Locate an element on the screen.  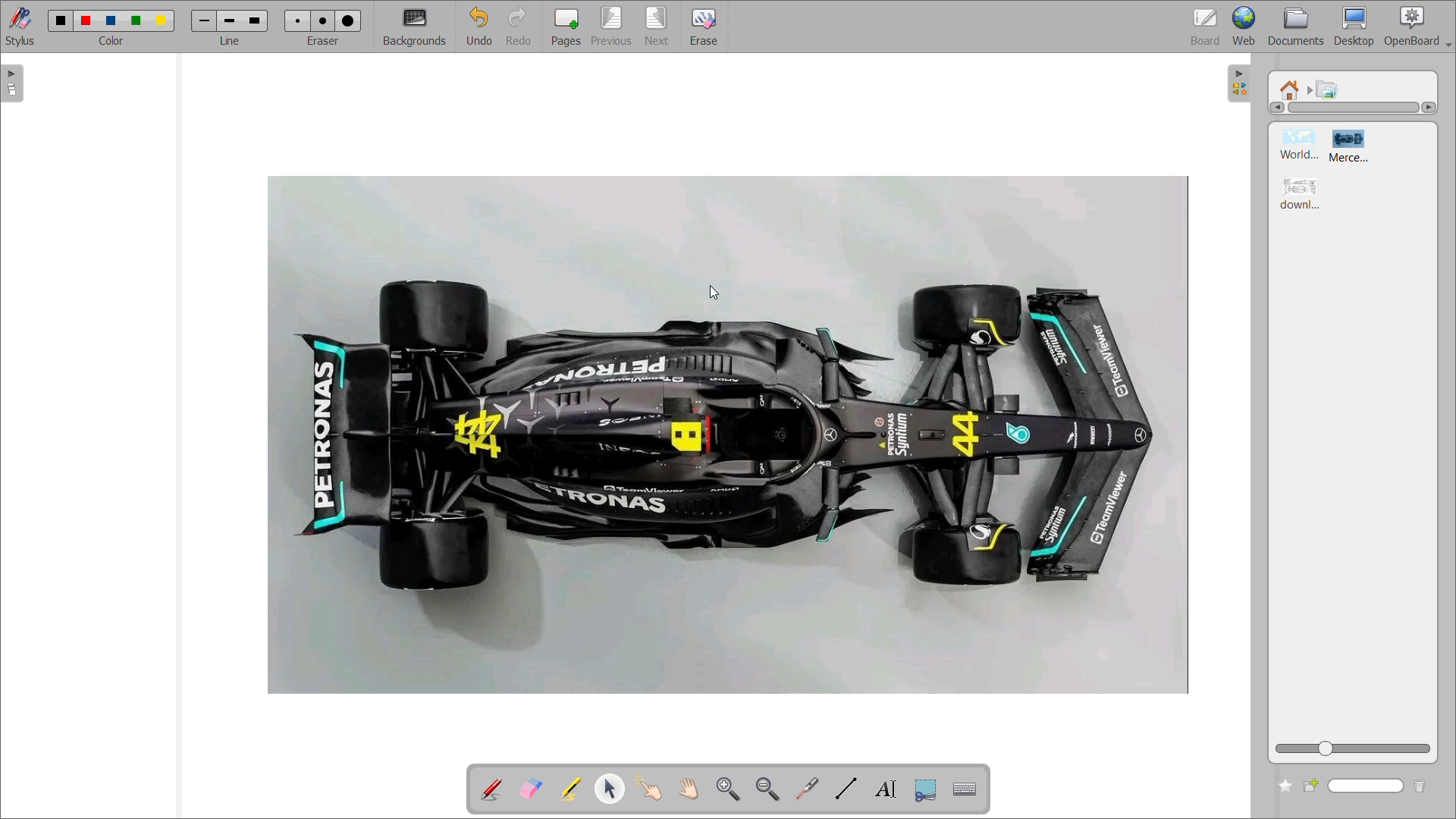
color 4 is located at coordinates (136, 23).